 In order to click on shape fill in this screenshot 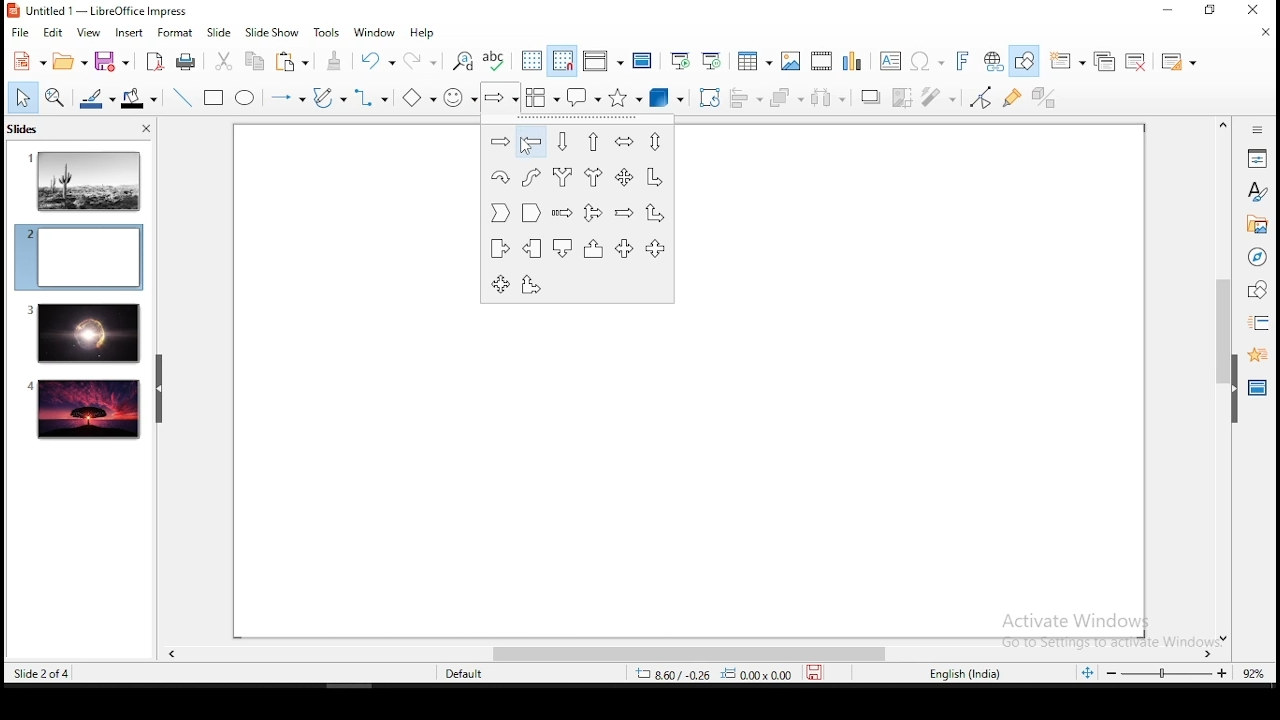, I will do `click(138, 100)`.